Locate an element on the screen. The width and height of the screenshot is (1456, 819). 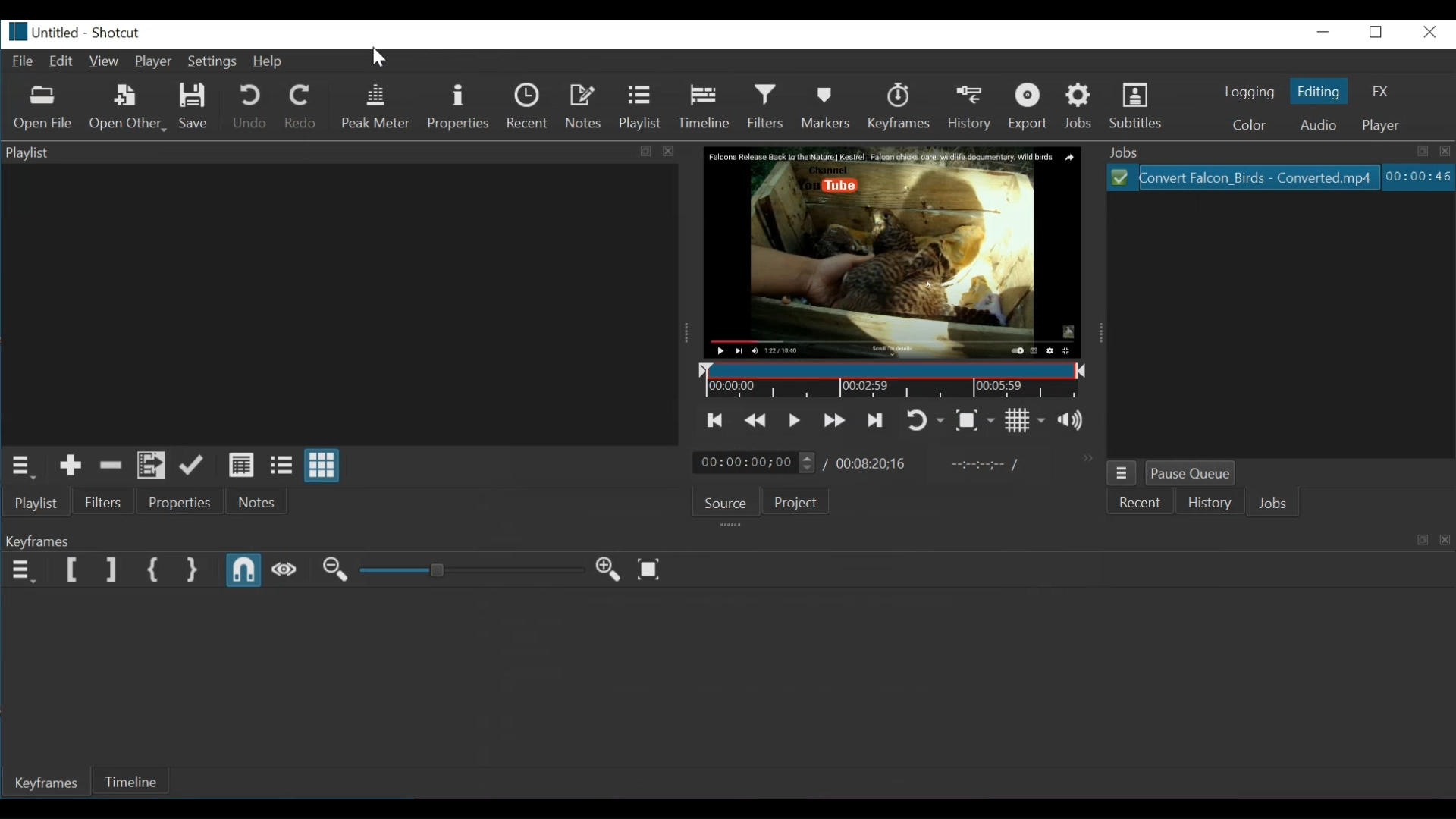
Add files to playlist is located at coordinates (152, 466).